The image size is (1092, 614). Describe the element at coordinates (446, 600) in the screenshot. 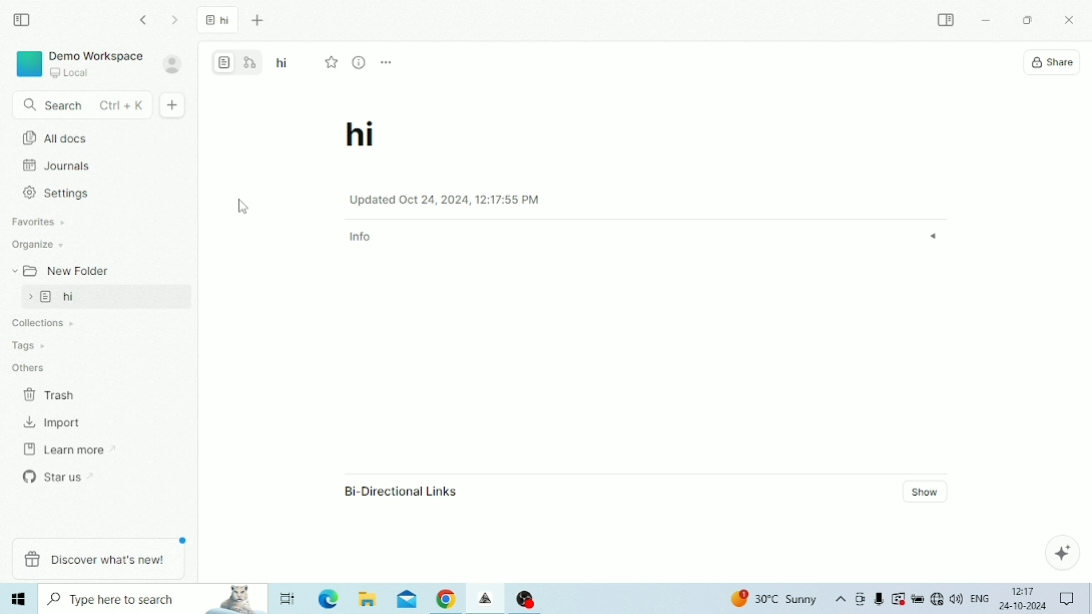

I see `Google Chrome` at that location.